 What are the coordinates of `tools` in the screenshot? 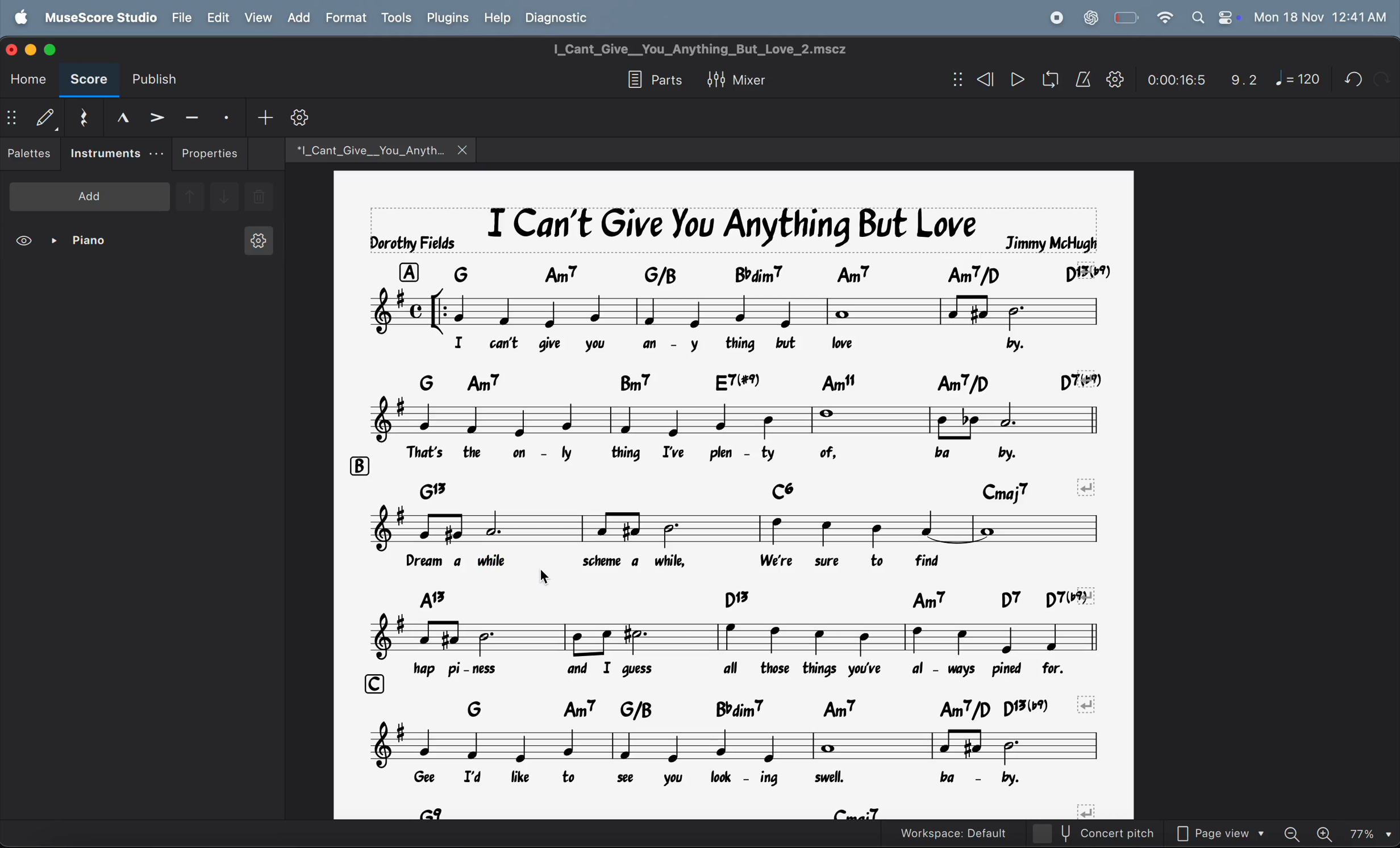 It's located at (398, 18).